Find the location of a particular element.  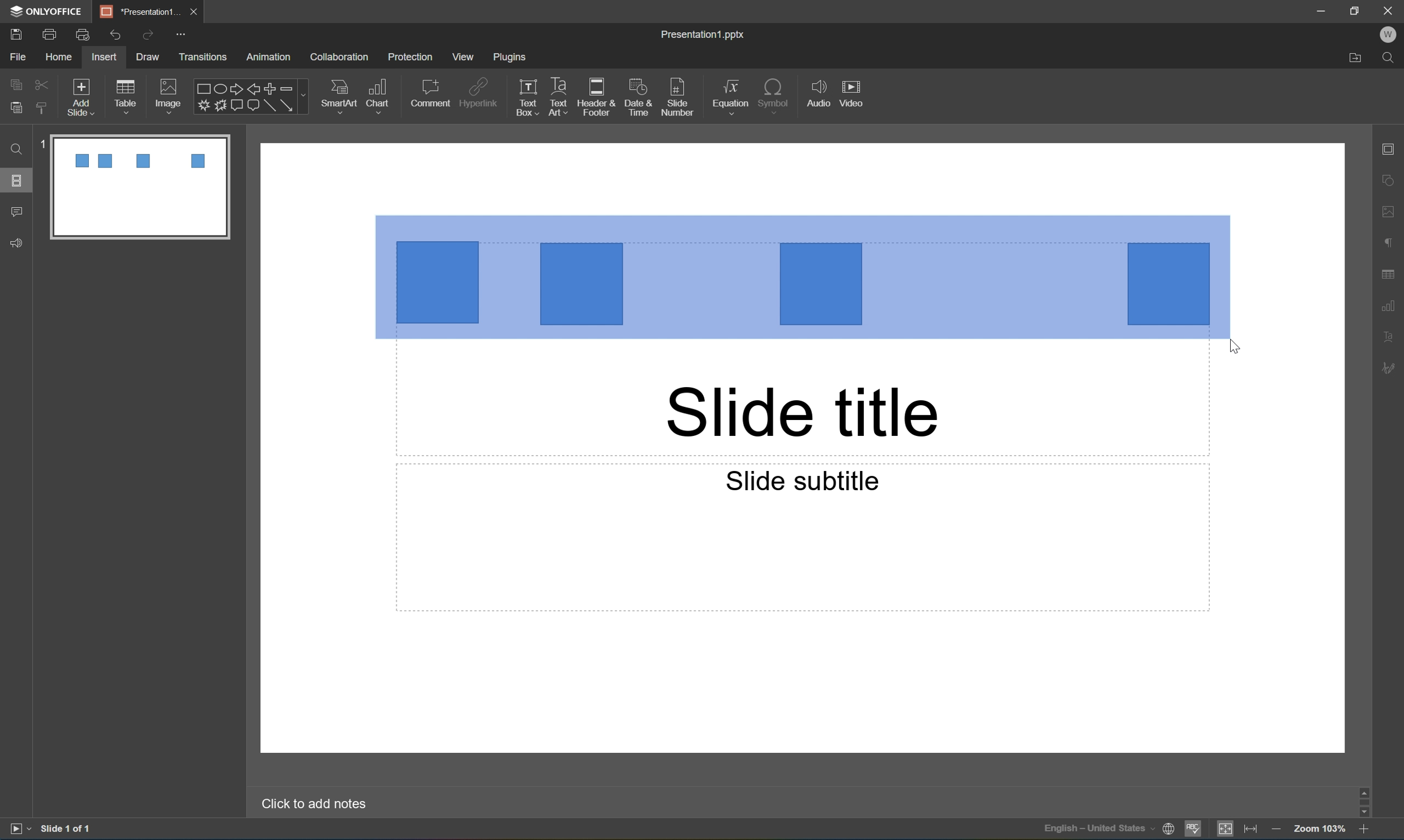

signature settings is located at coordinates (1392, 368).